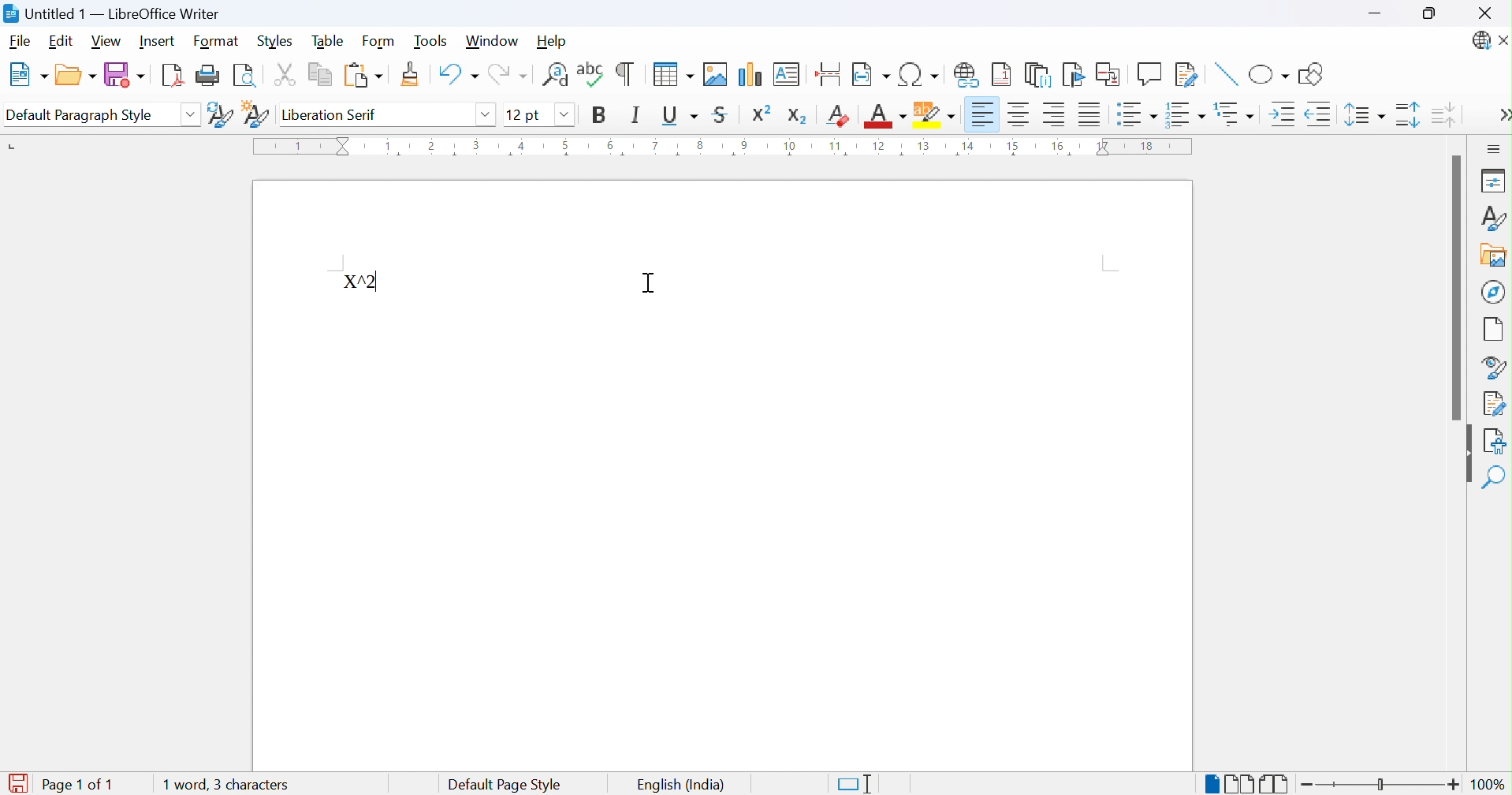 Image resolution: width=1512 pixels, height=795 pixels. I want to click on Find, so click(1496, 477).